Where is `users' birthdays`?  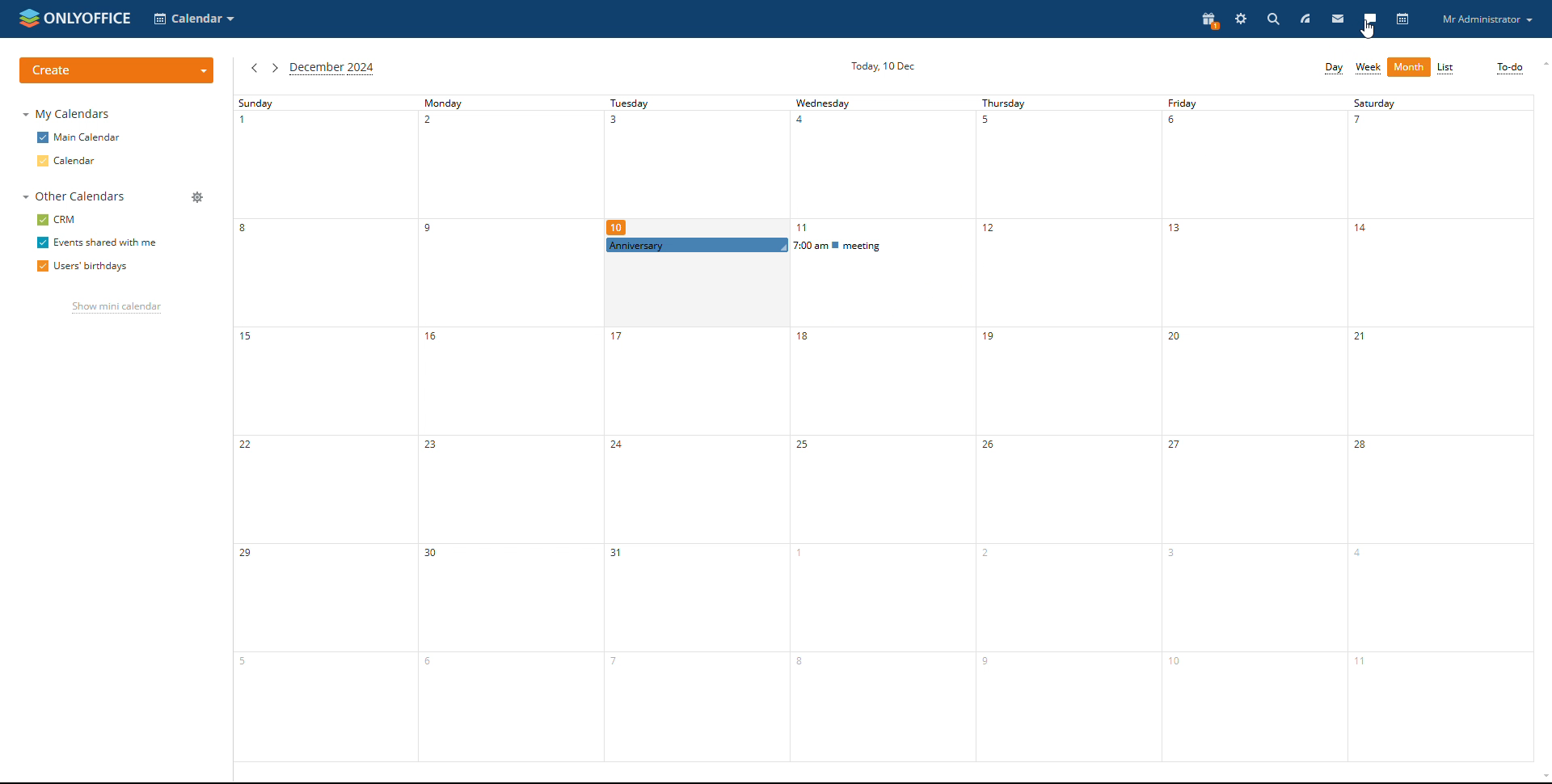
users' birthdays is located at coordinates (85, 267).